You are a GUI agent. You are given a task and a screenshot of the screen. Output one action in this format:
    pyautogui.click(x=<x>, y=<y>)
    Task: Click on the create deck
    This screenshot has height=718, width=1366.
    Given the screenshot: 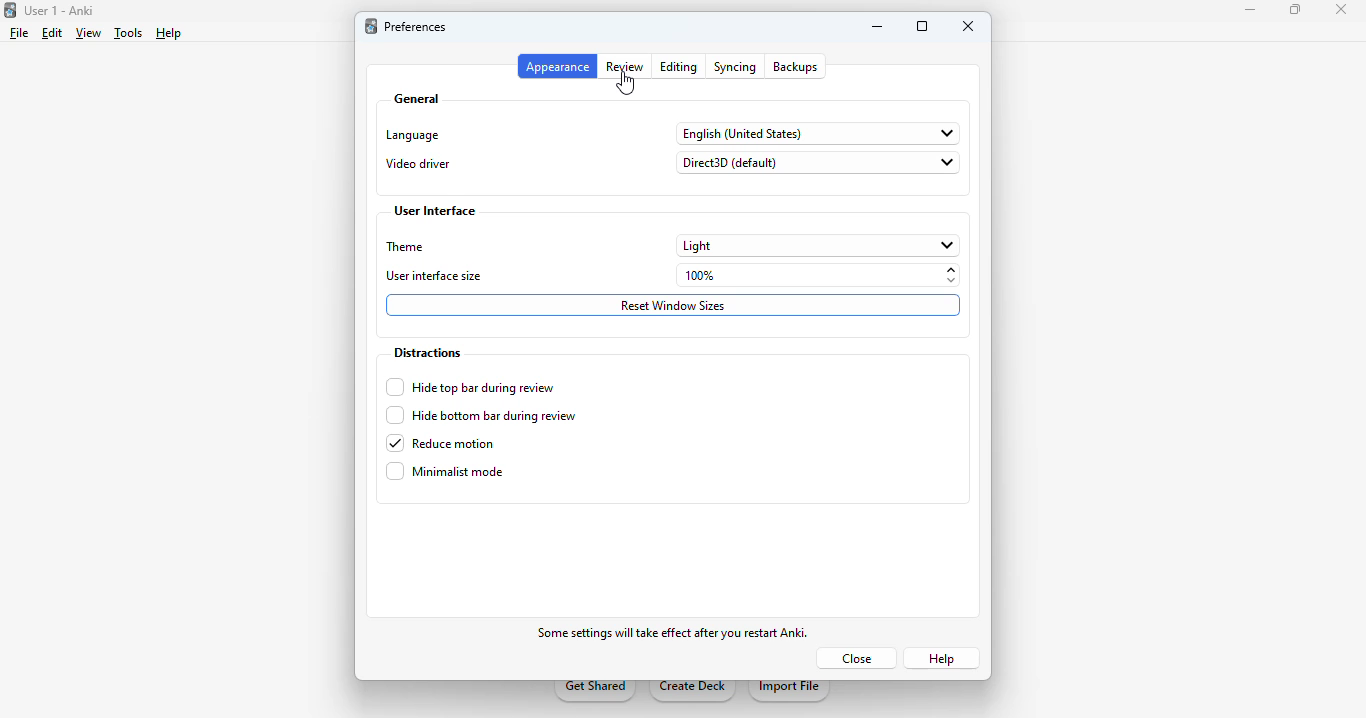 What is the action you would take?
    pyautogui.click(x=693, y=691)
    